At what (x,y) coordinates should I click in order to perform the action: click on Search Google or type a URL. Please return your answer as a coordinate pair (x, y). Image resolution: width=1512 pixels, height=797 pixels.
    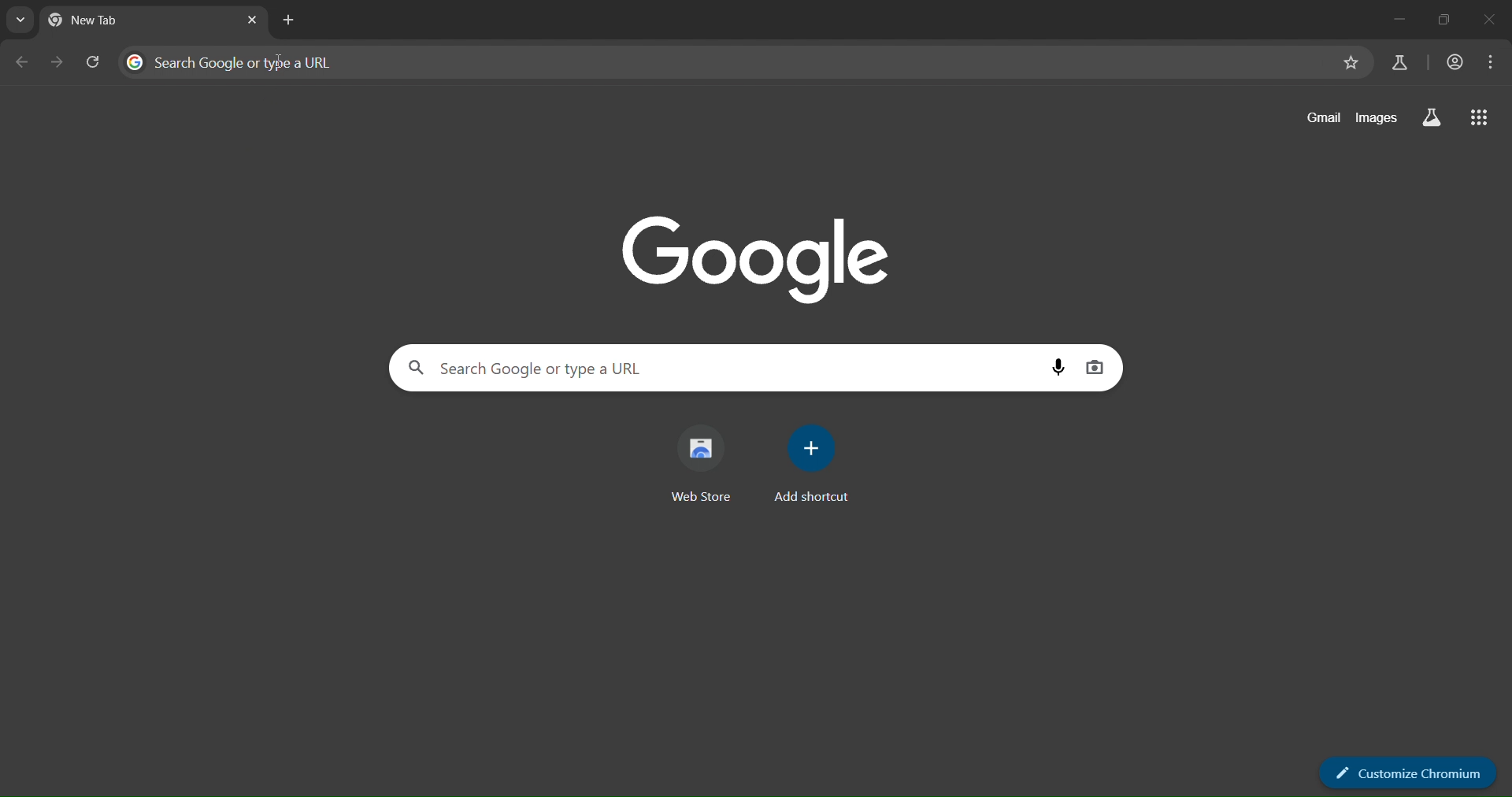
    Looking at the image, I should click on (724, 63).